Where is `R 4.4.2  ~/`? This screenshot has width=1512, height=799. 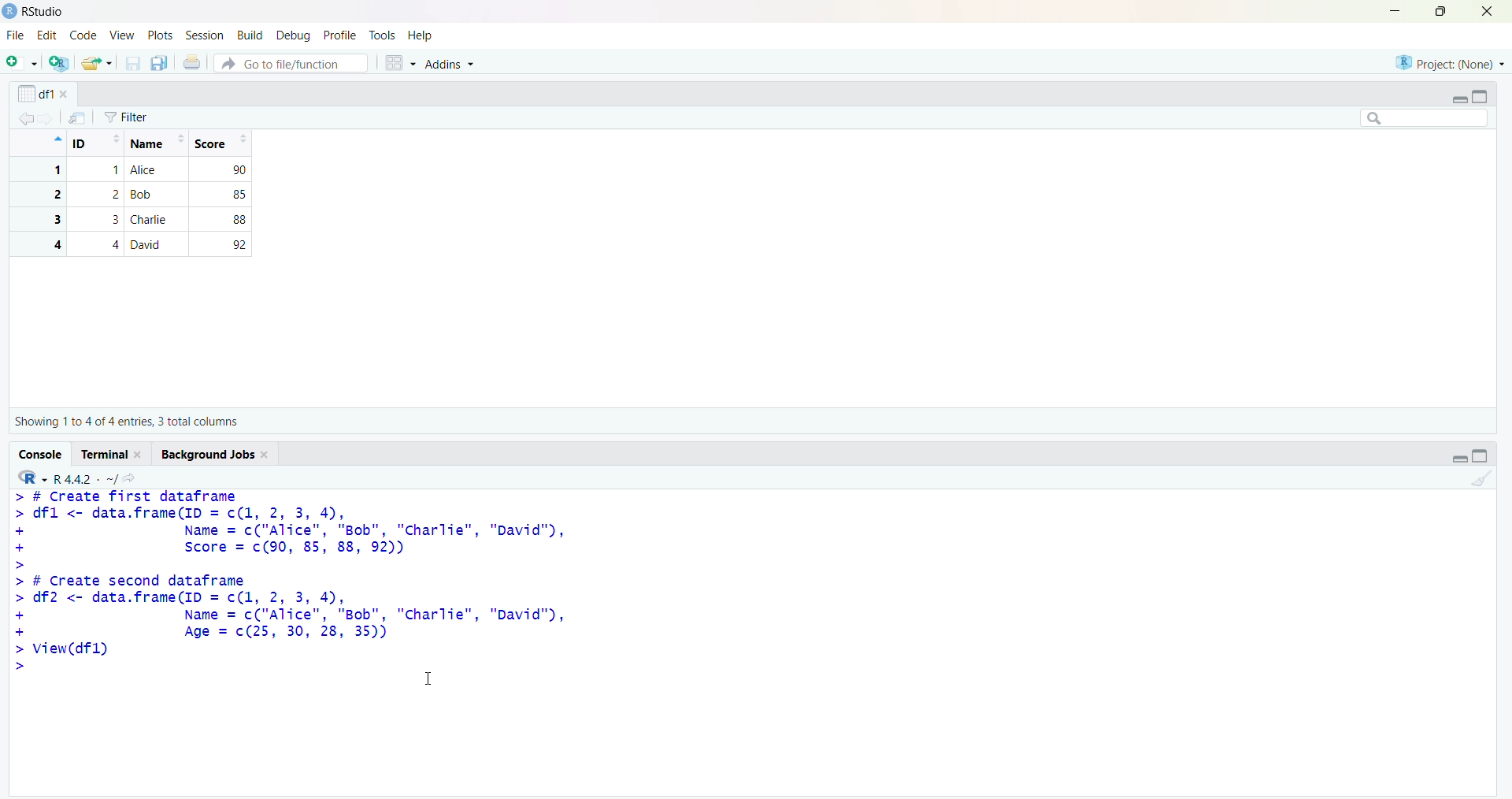 R 4.4.2  ~/ is located at coordinates (85, 479).